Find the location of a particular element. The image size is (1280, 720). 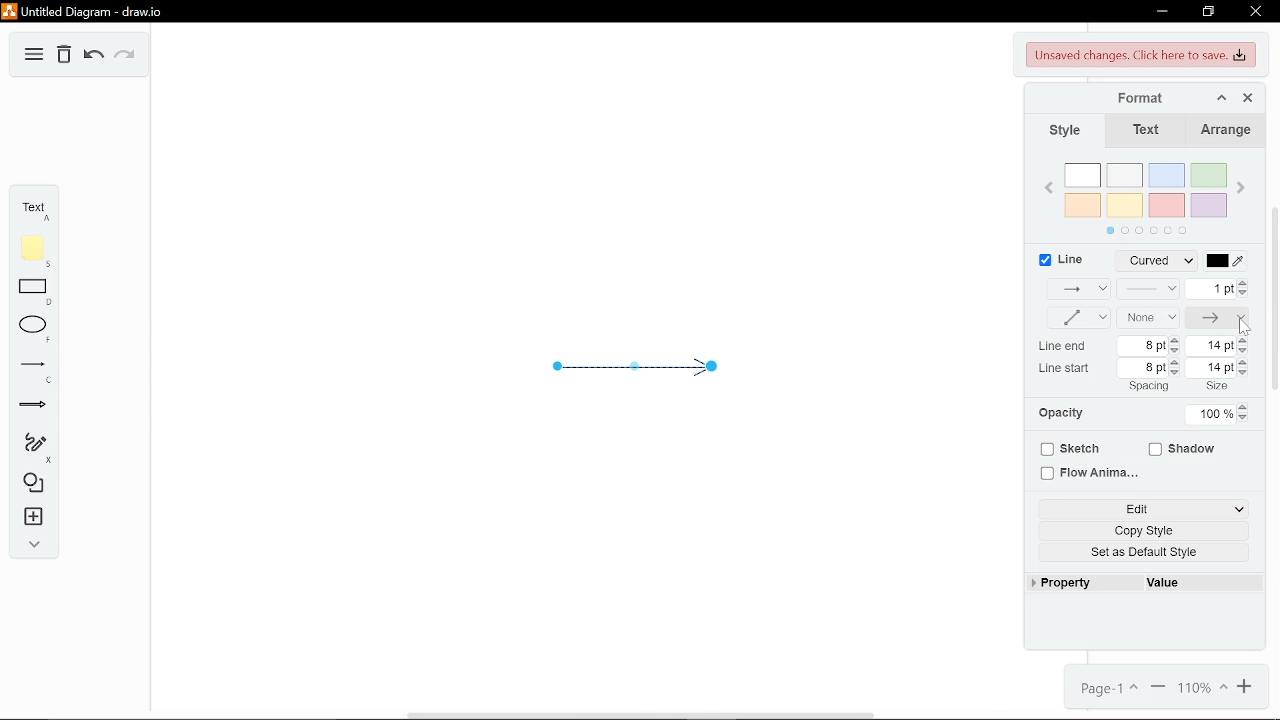

Undo is located at coordinates (93, 55).